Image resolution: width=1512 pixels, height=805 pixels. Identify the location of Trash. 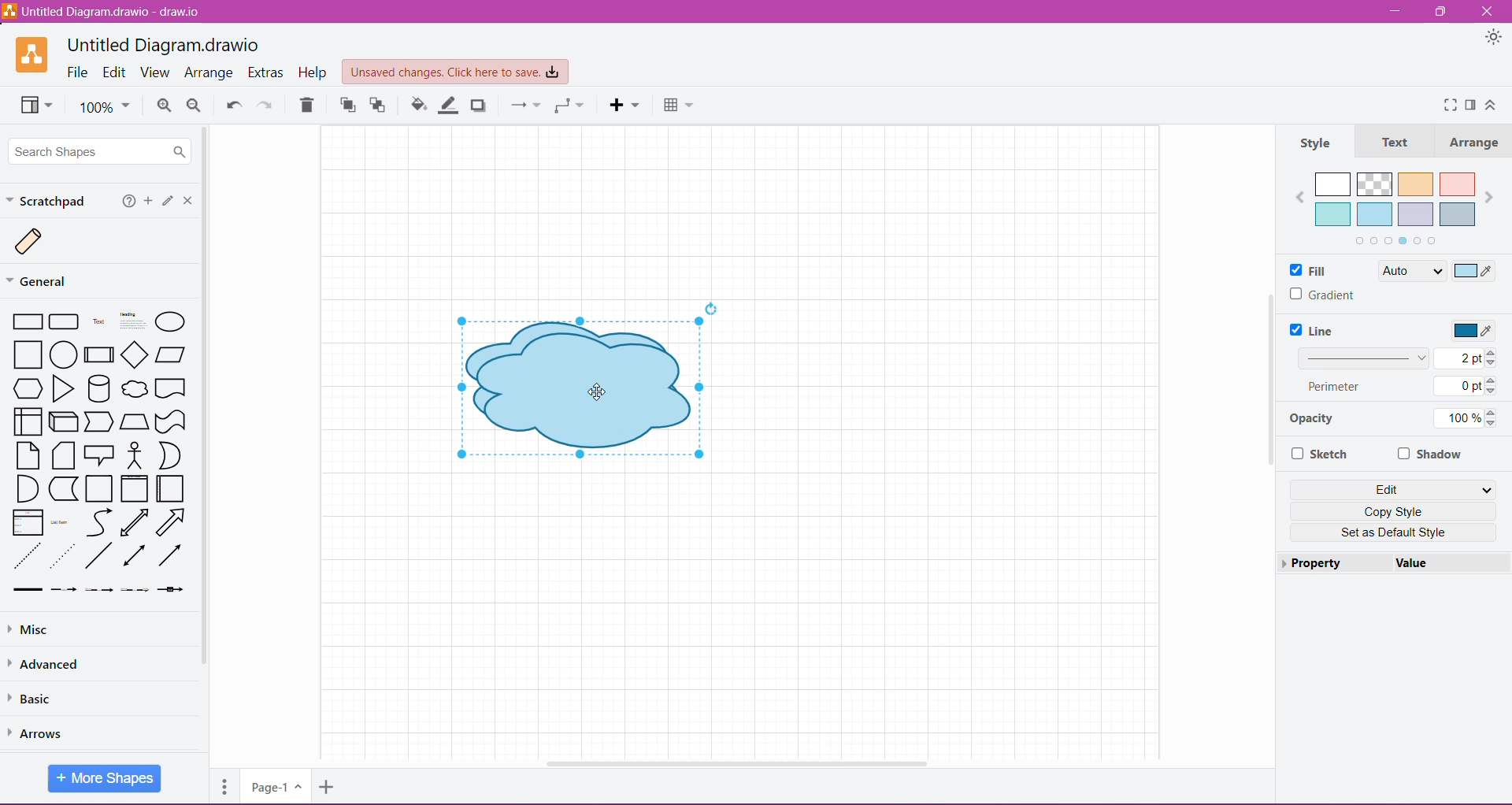
(306, 107).